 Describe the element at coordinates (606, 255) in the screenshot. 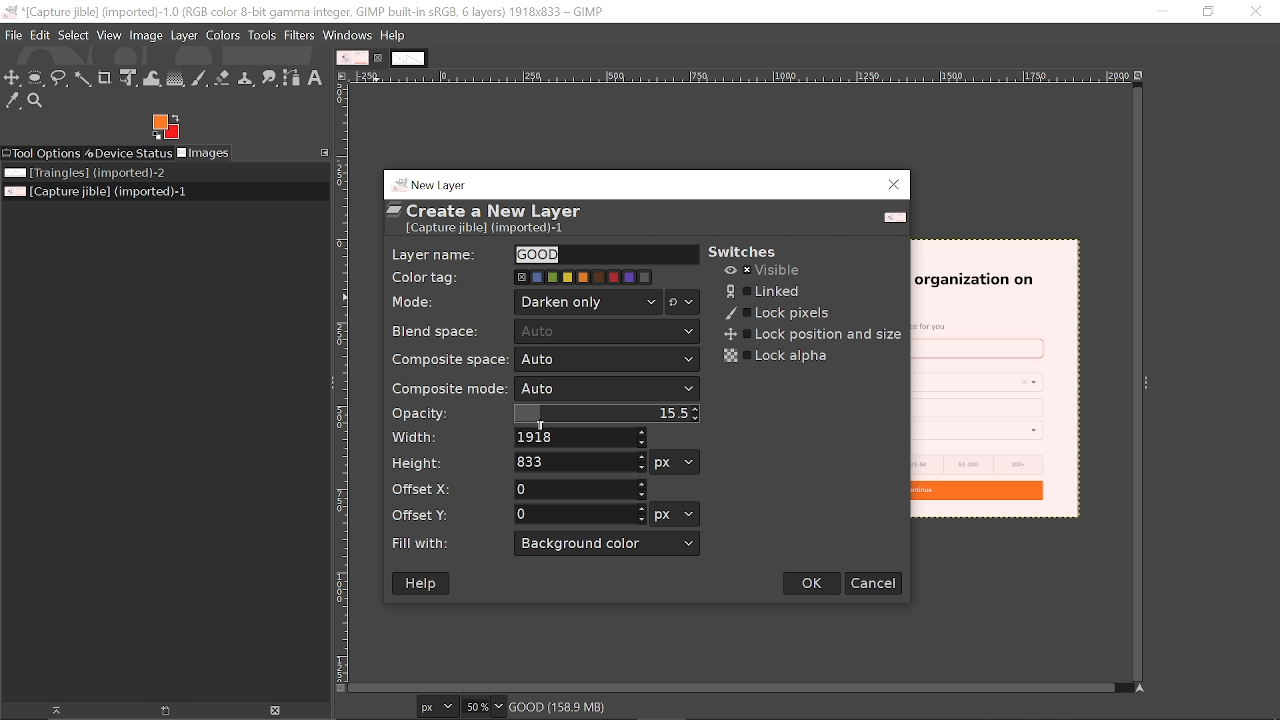

I see `layer name` at that location.